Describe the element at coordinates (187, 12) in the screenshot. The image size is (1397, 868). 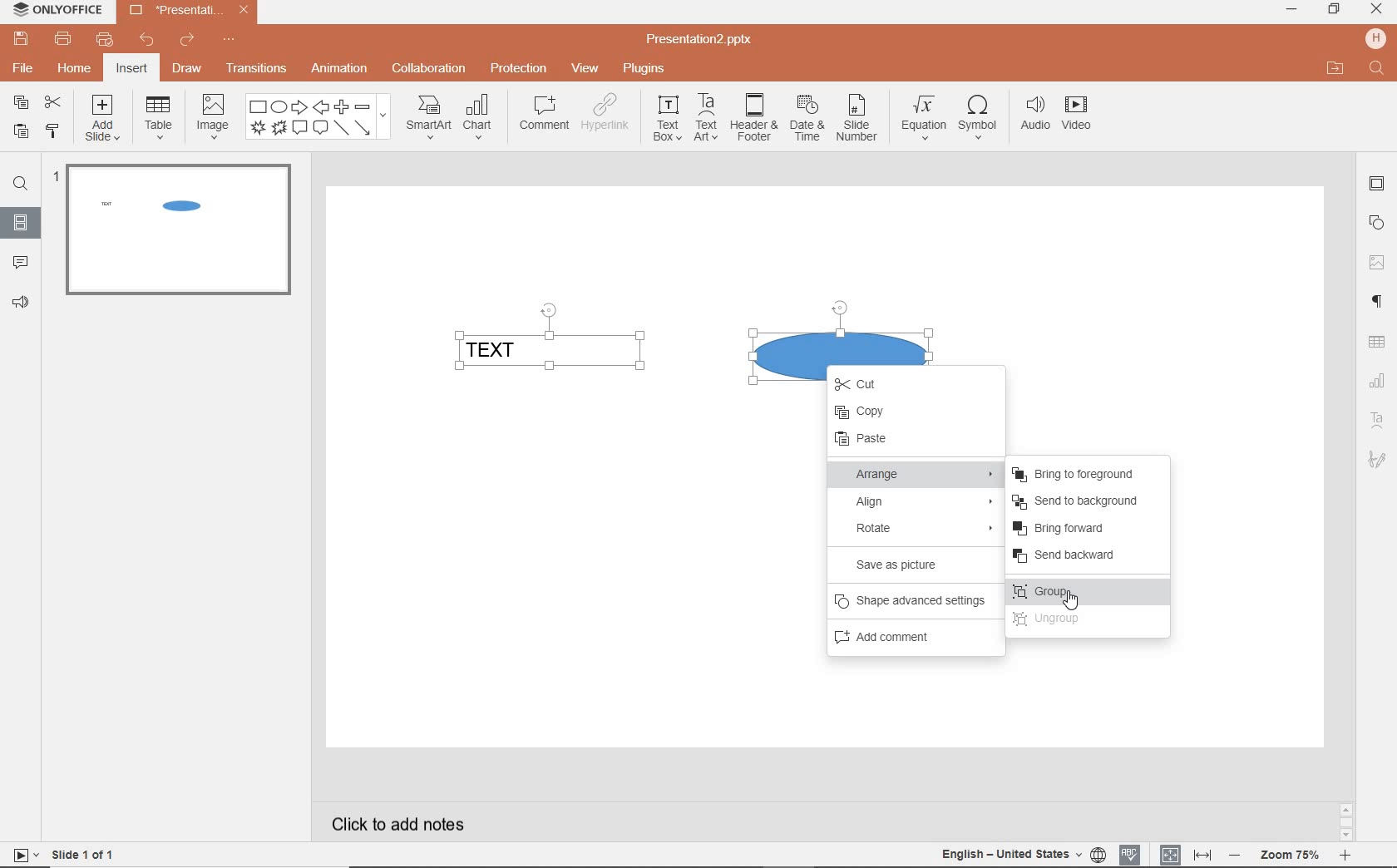
I see `Presentation2.pptx` at that location.